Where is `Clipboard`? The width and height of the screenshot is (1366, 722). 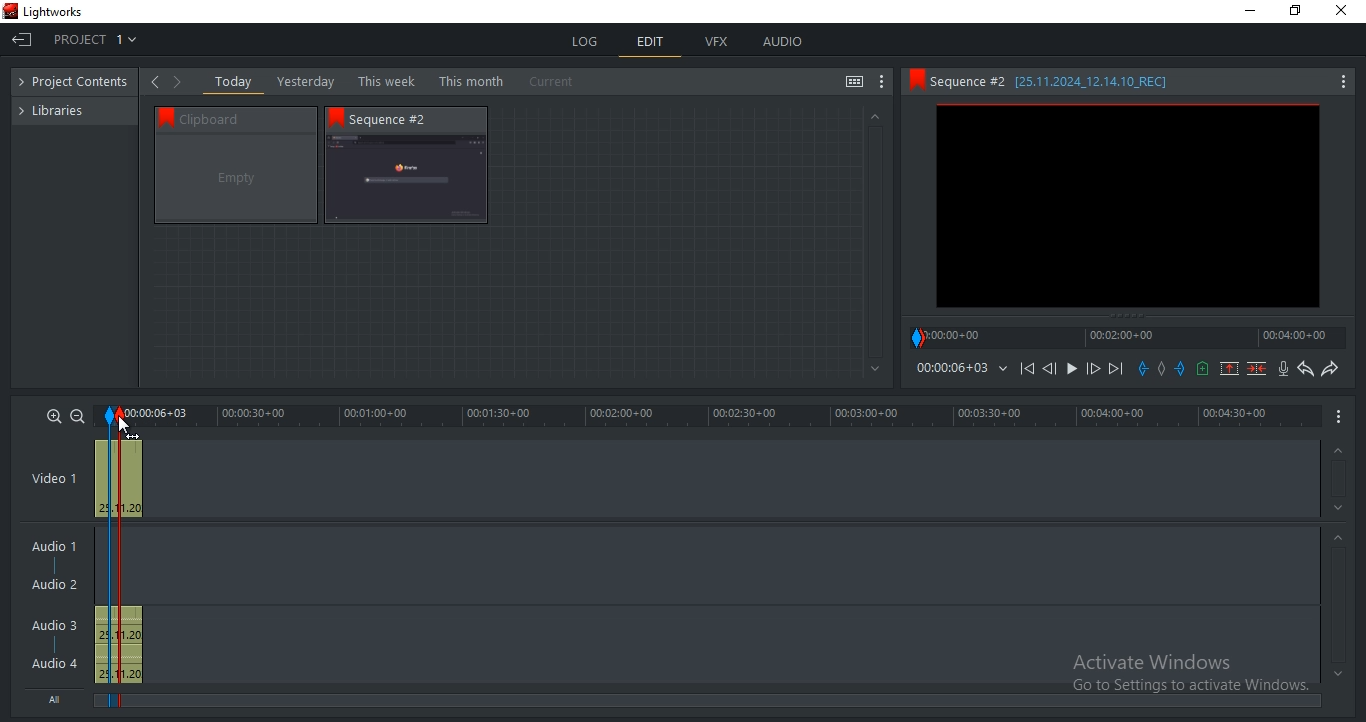 Clipboard is located at coordinates (245, 118).